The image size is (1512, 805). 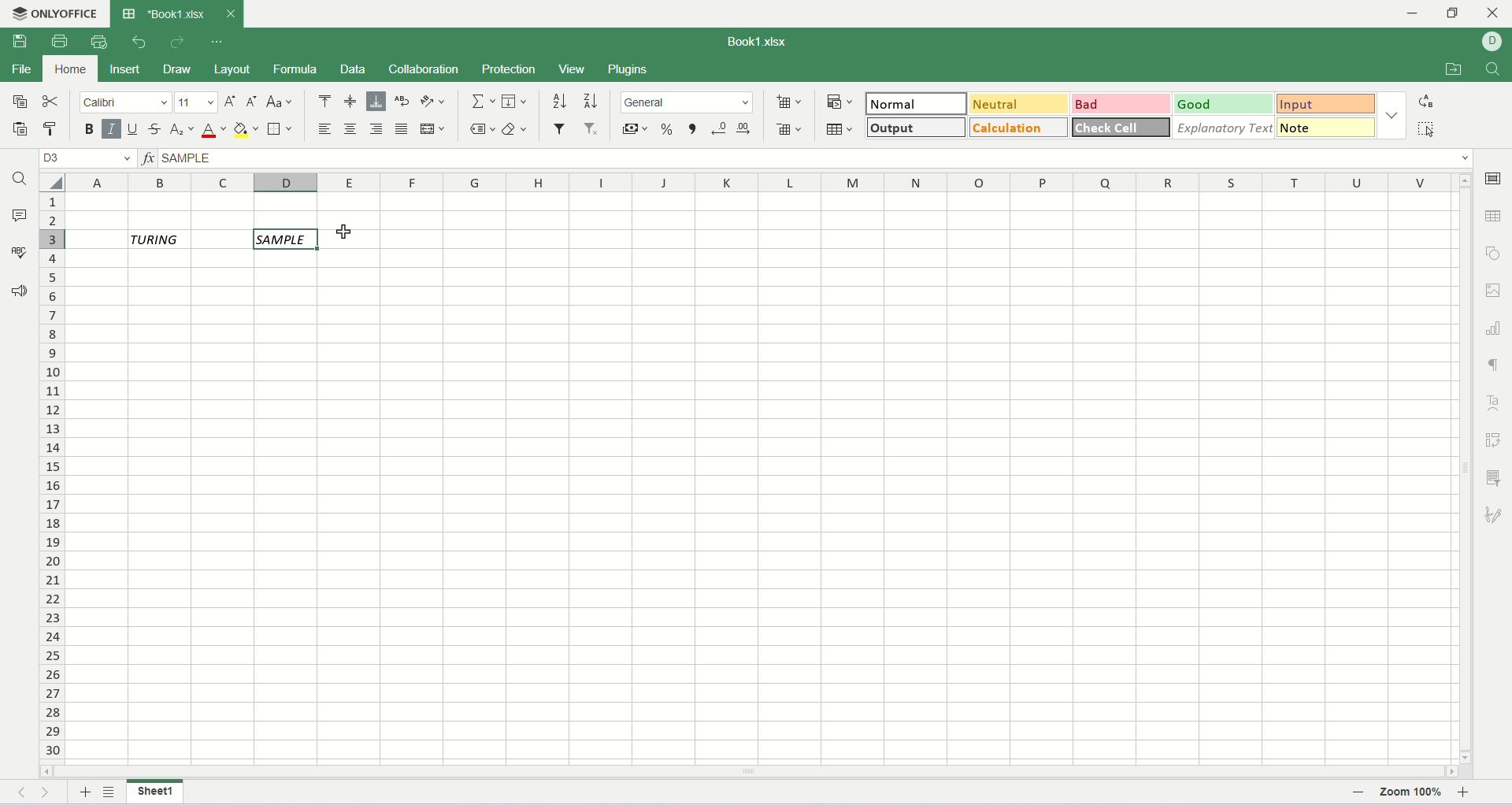 I want to click on vertical scroll, so click(x=1466, y=469).